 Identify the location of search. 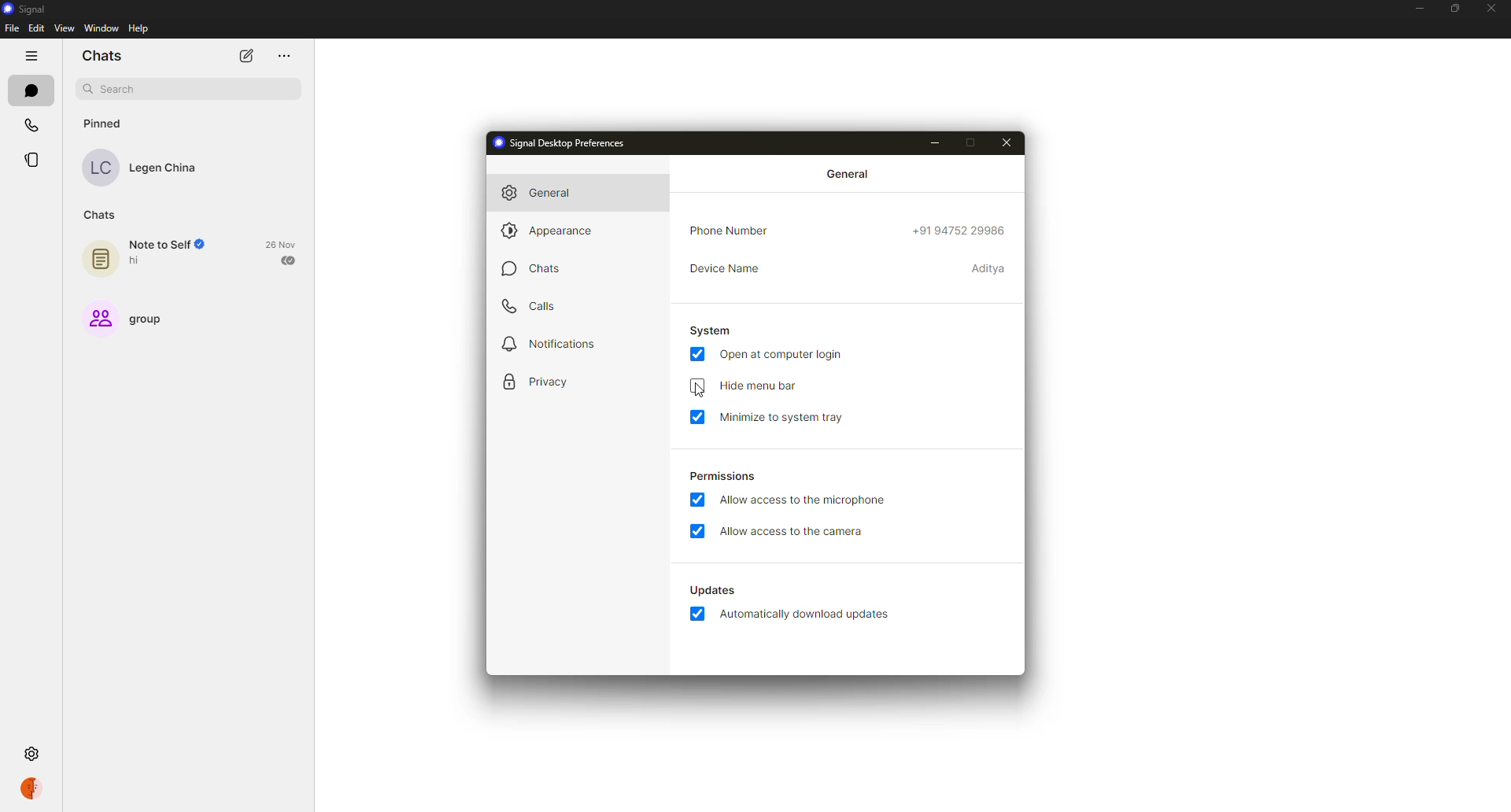
(187, 87).